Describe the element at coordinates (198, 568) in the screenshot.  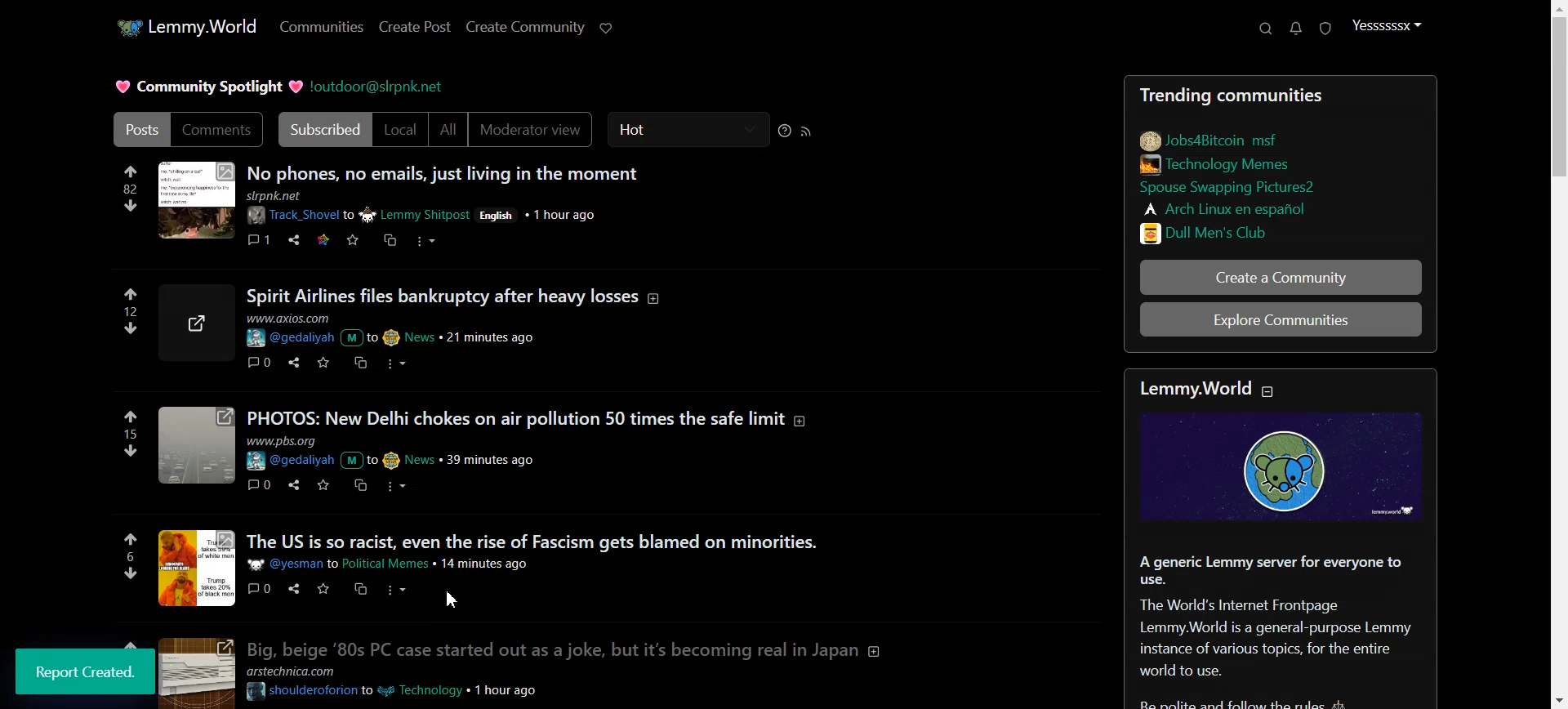
I see `post picture` at that location.